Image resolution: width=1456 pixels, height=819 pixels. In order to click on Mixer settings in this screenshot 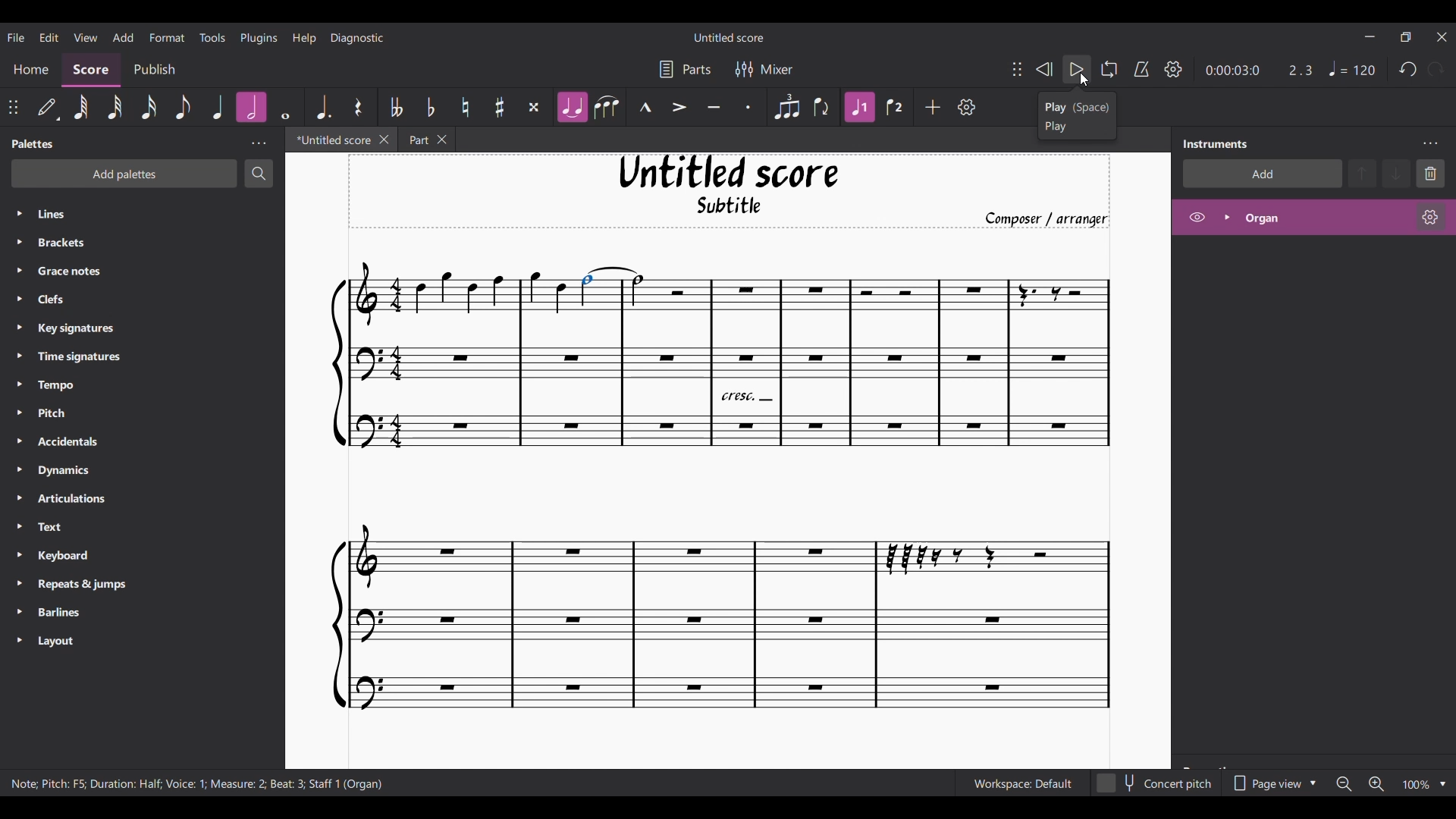, I will do `click(764, 70)`.